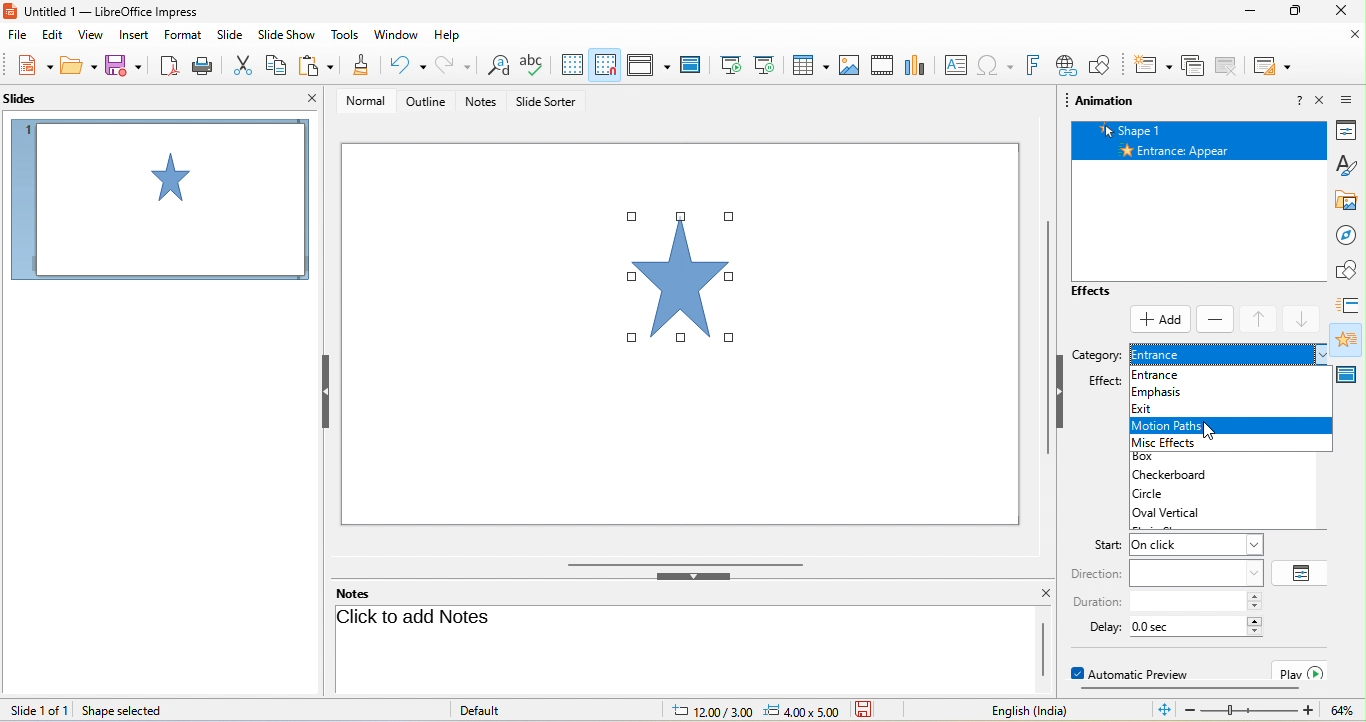 The image size is (1366, 722). What do you see at coordinates (711, 712) in the screenshot?
I see `cursor location: 12.00/3.00` at bounding box center [711, 712].